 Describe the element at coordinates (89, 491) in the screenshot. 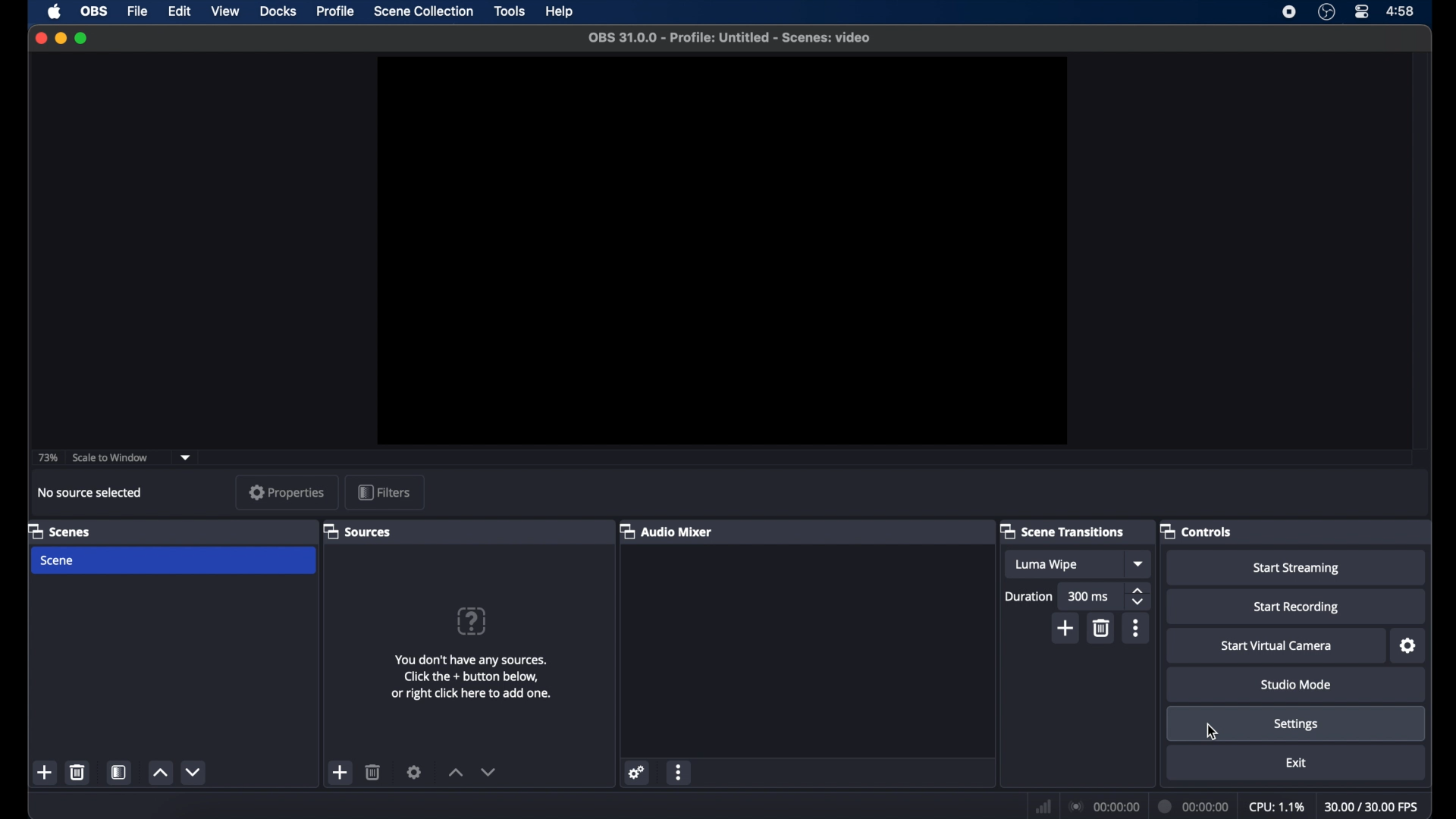

I see `no source selected` at that location.